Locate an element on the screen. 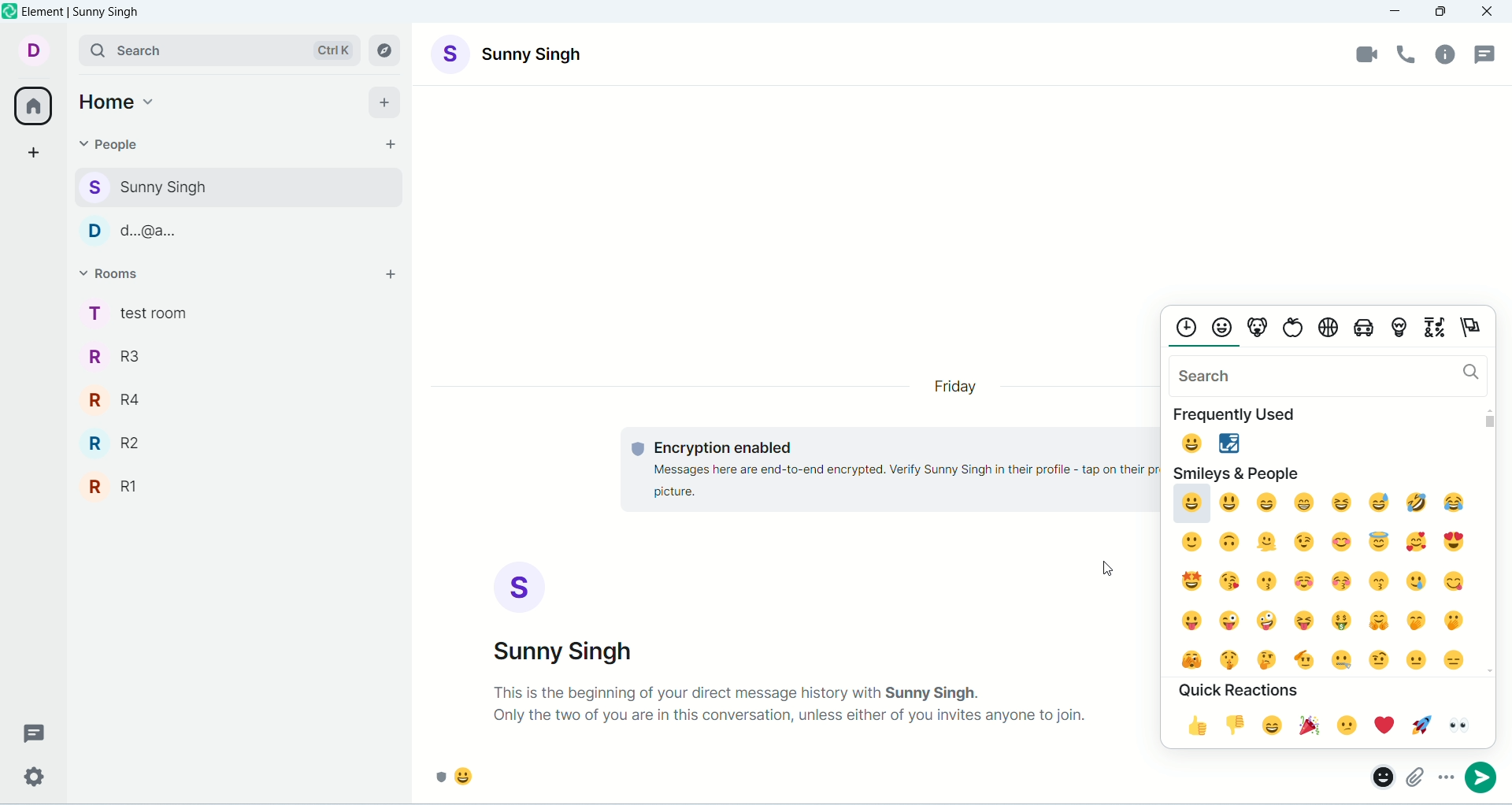 The height and width of the screenshot is (805, 1512). emoji categories is located at coordinates (1331, 325).